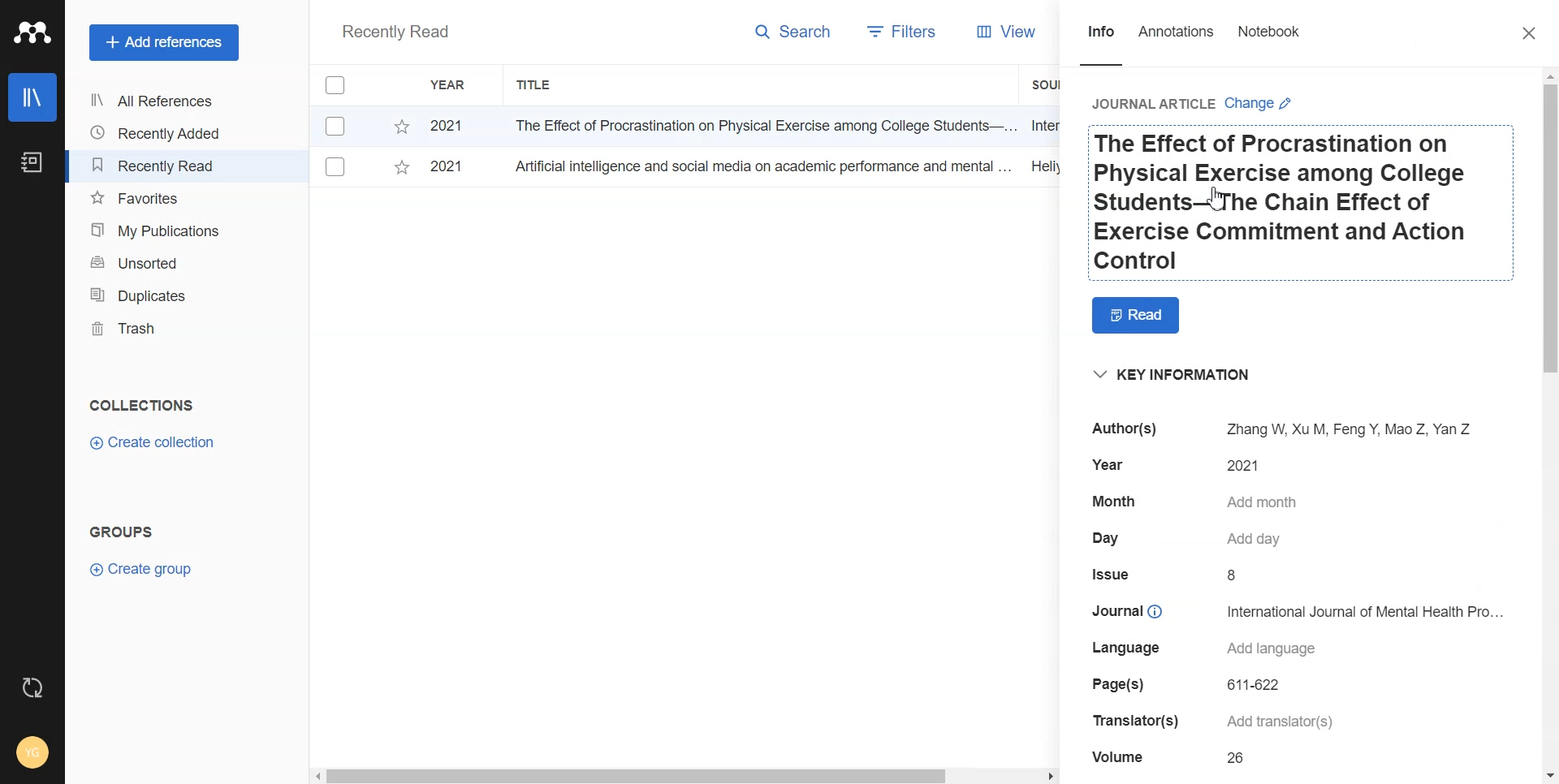  What do you see at coordinates (1101, 44) in the screenshot?
I see `Info` at bounding box center [1101, 44].